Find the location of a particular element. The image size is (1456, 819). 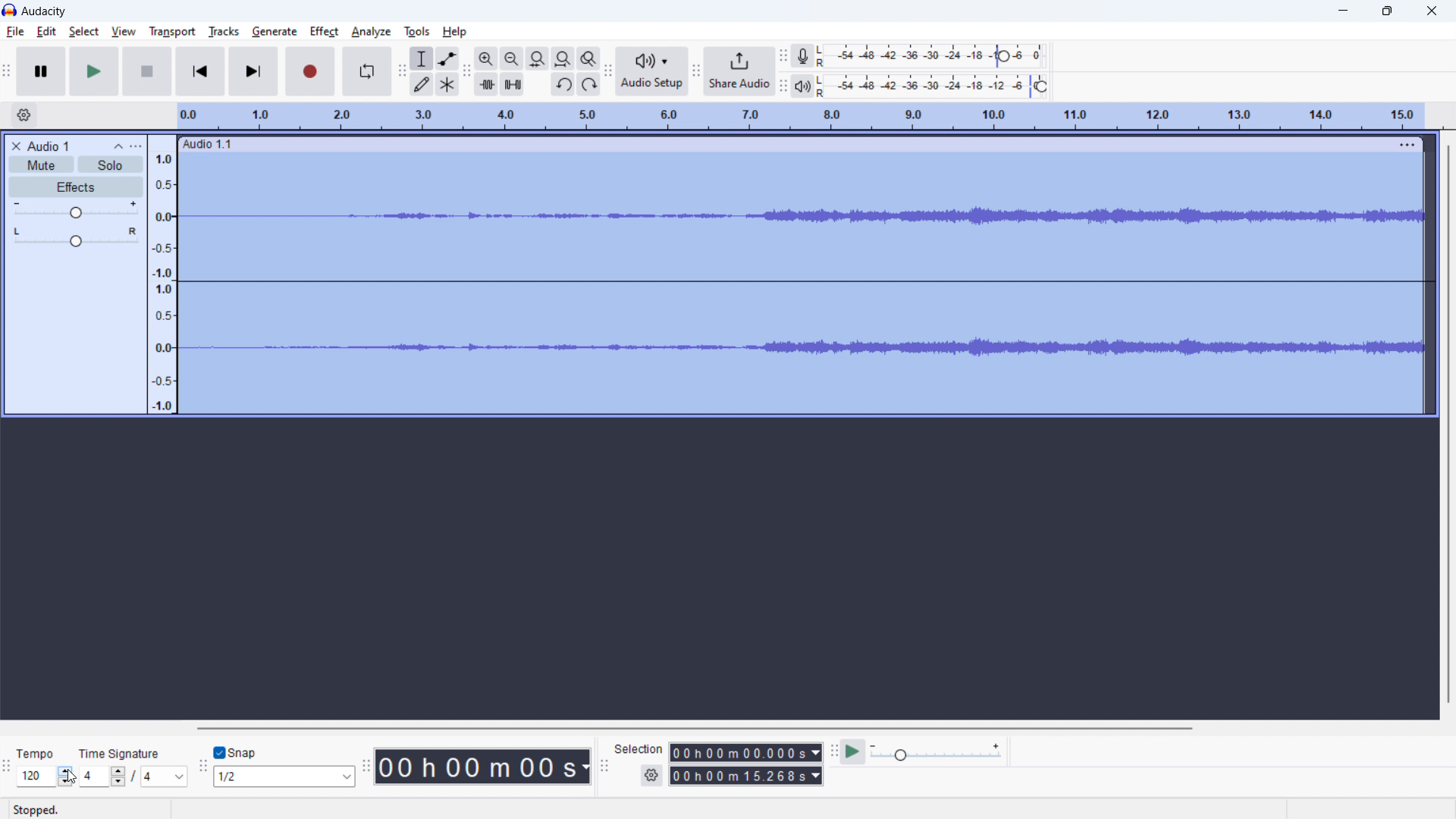

play is located at coordinates (94, 72).